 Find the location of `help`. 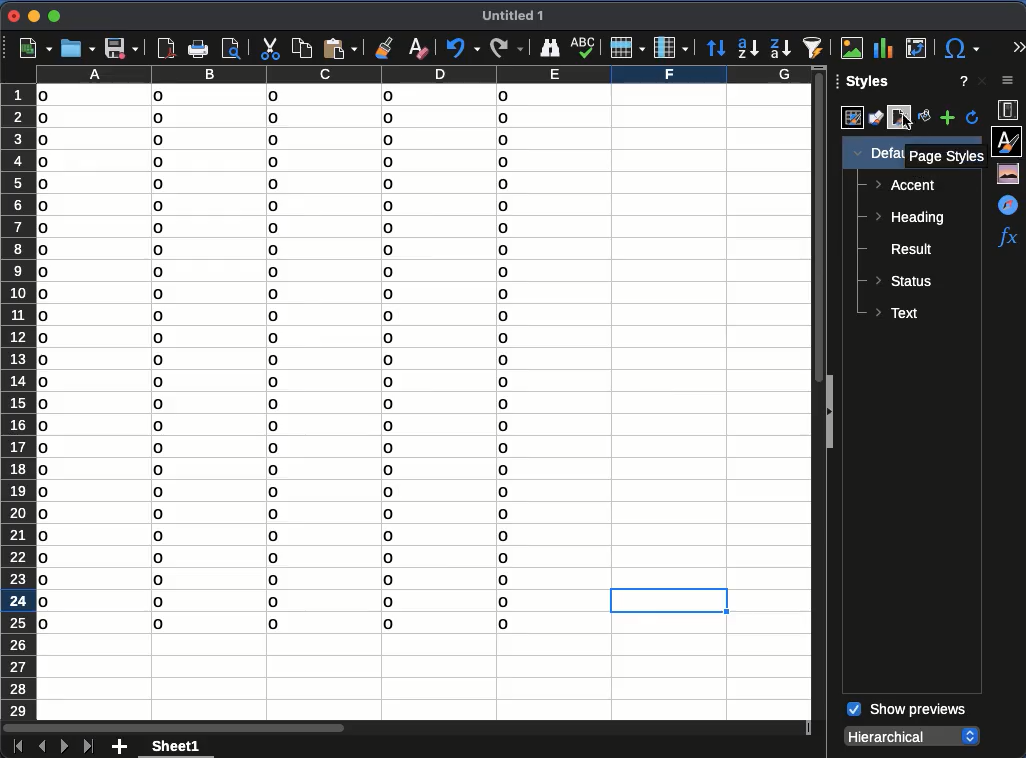

help is located at coordinates (961, 81).